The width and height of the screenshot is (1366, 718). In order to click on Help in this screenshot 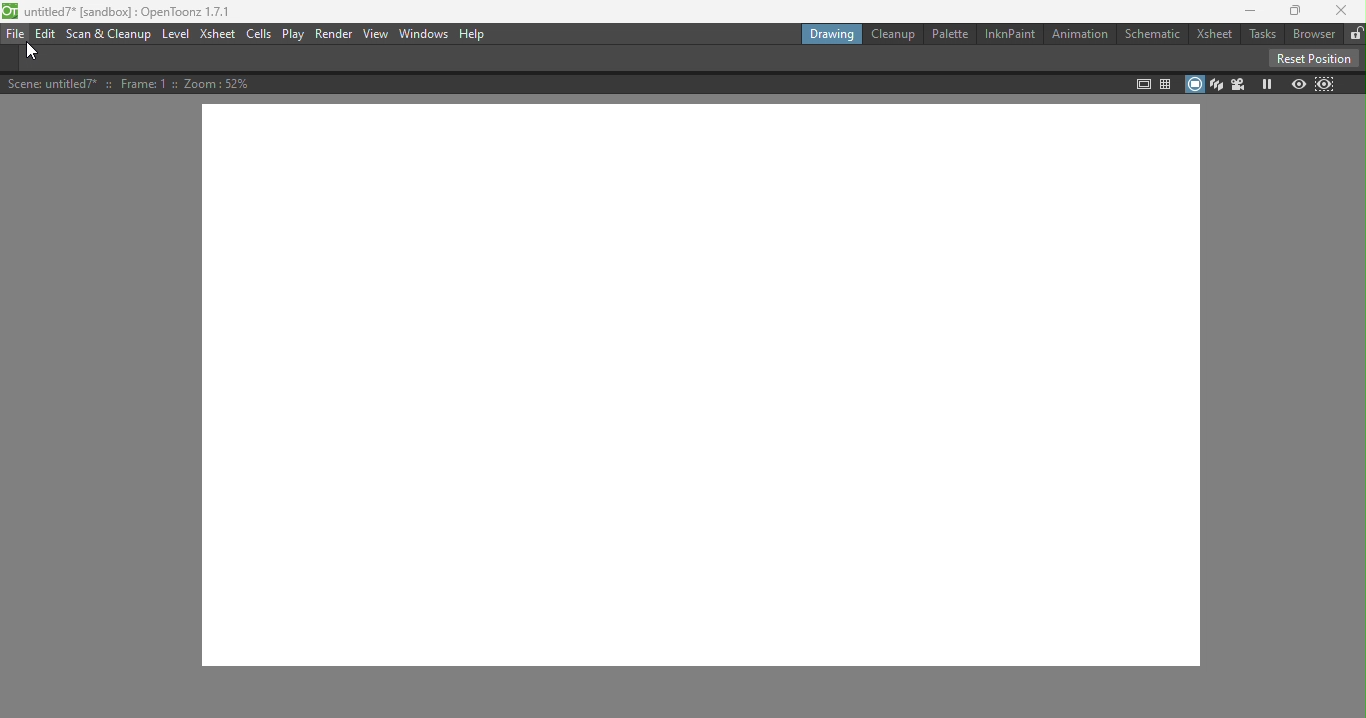, I will do `click(472, 33)`.